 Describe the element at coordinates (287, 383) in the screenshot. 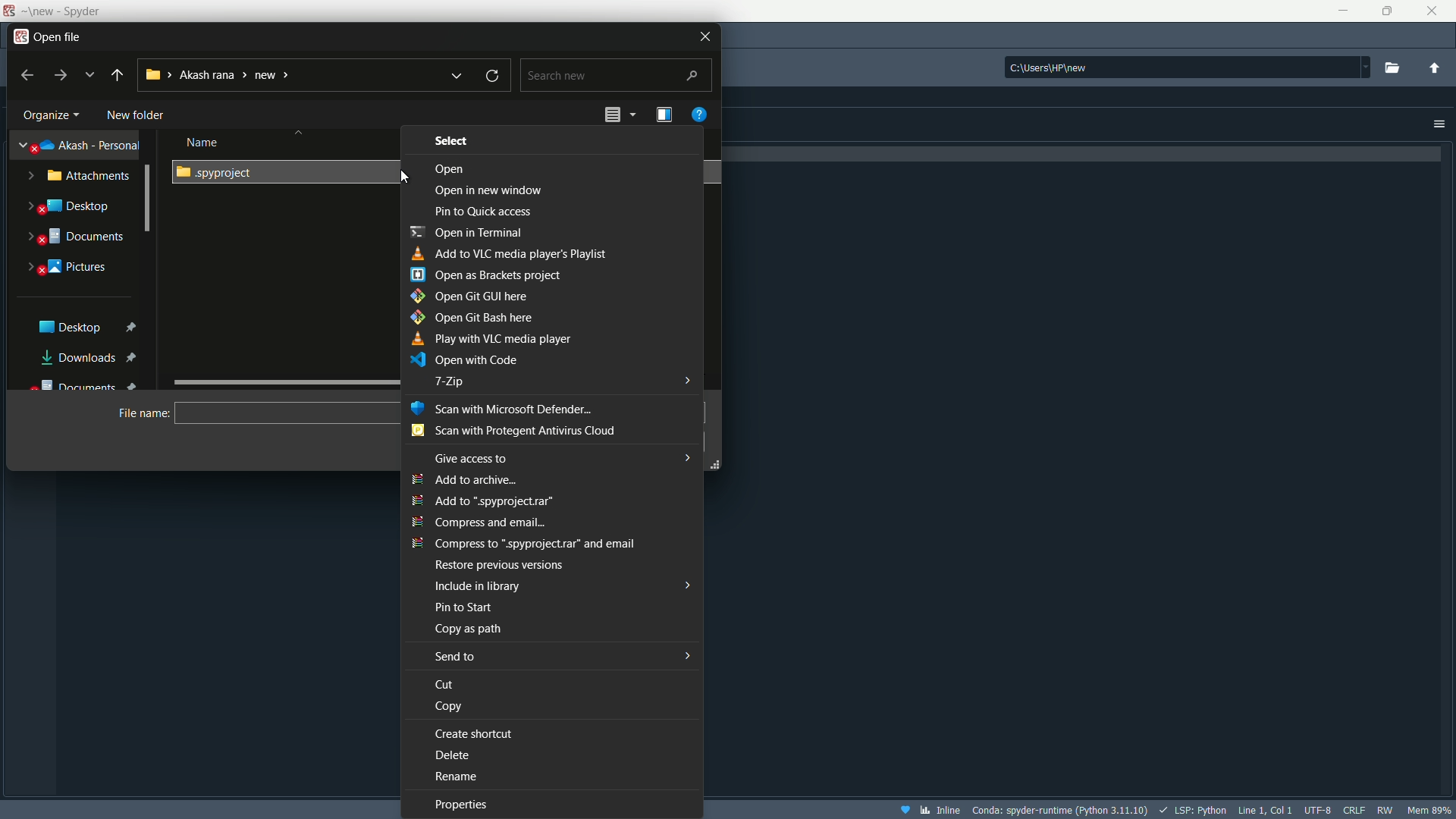

I see `slide bar` at that location.